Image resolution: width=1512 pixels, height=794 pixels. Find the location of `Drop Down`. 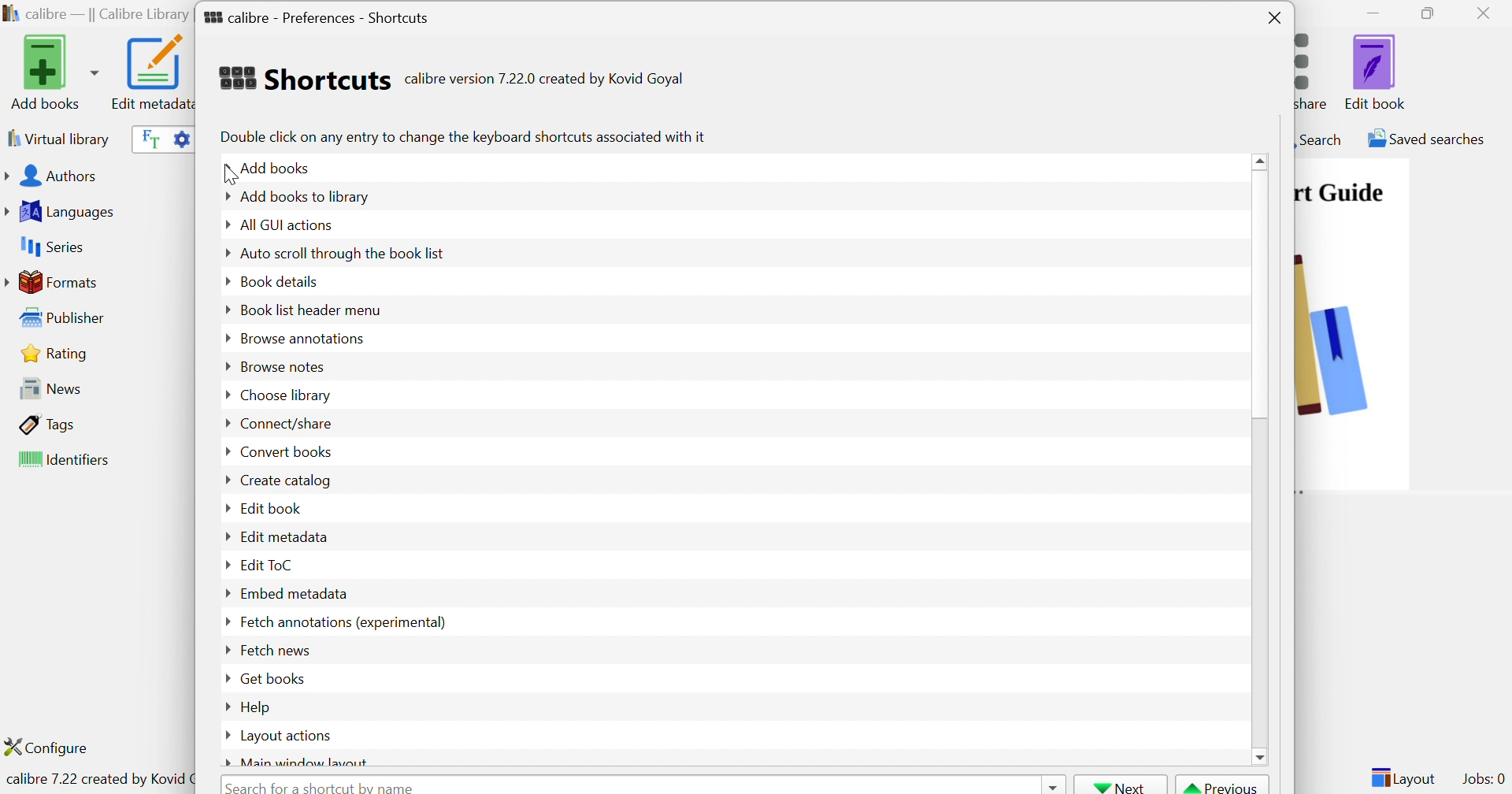

Drop Down is located at coordinates (225, 308).